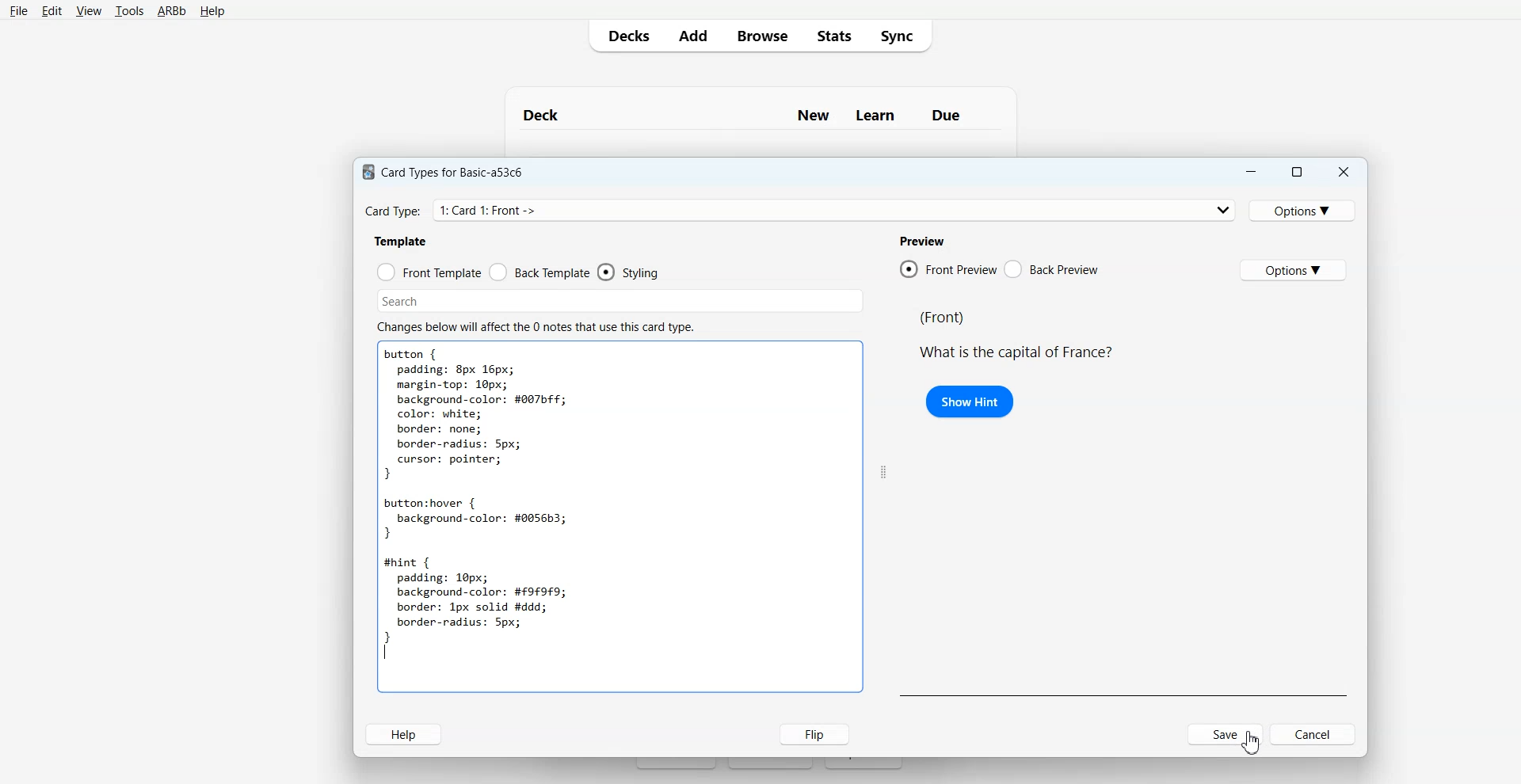 This screenshot has height=784, width=1521. What do you see at coordinates (801, 210) in the screenshot?
I see `Card Type` at bounding box center [801, 210].